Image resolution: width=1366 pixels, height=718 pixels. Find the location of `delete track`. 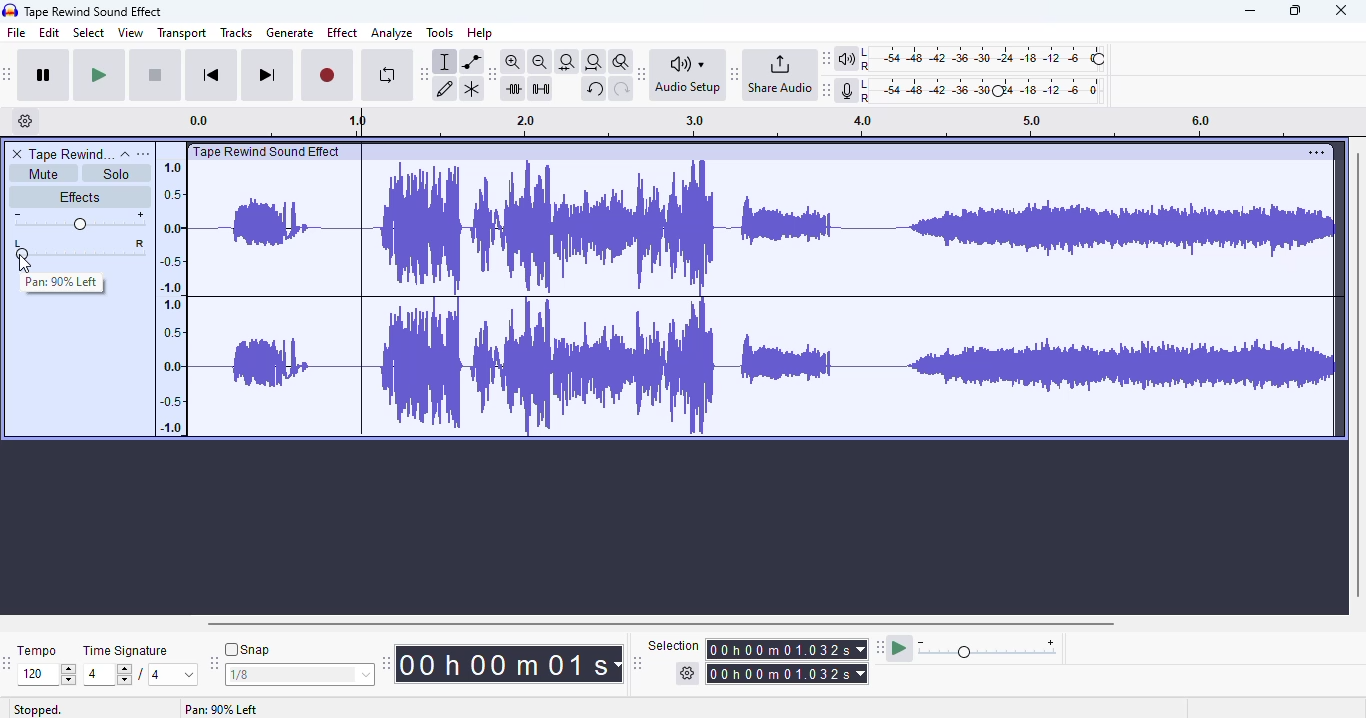

delete track is located at coordinates (18, 154).